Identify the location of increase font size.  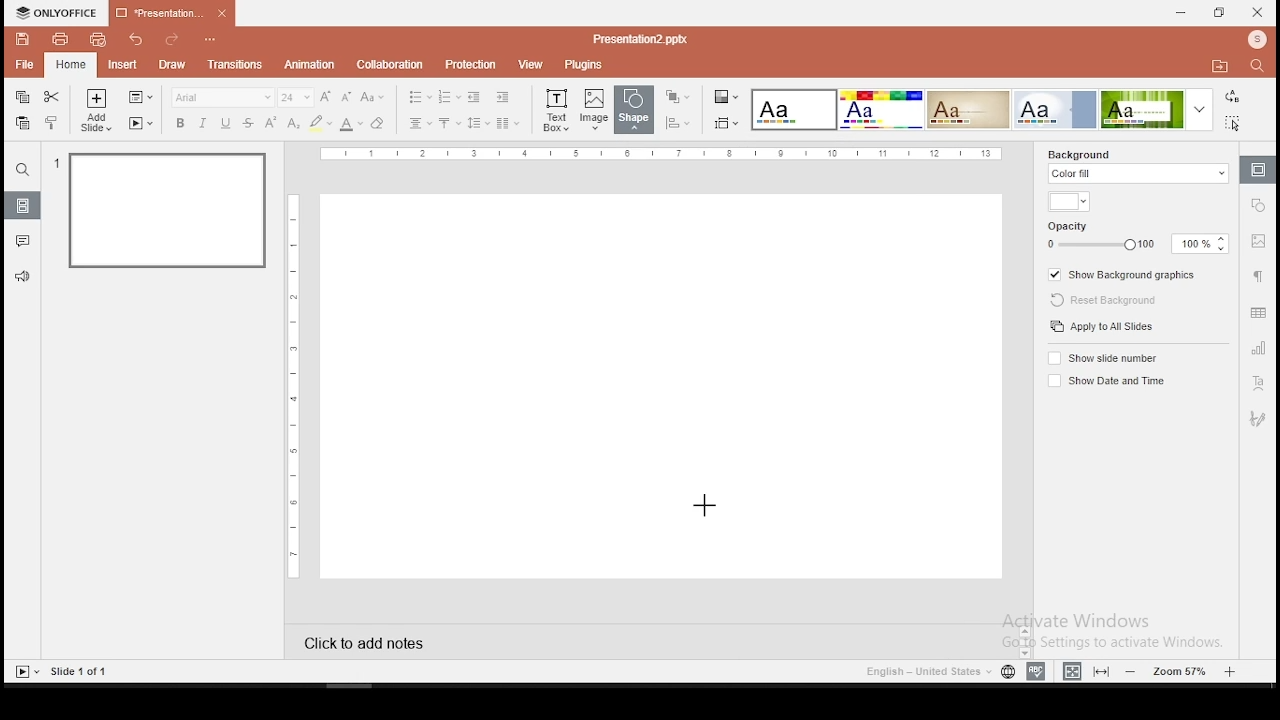
(328, 98).